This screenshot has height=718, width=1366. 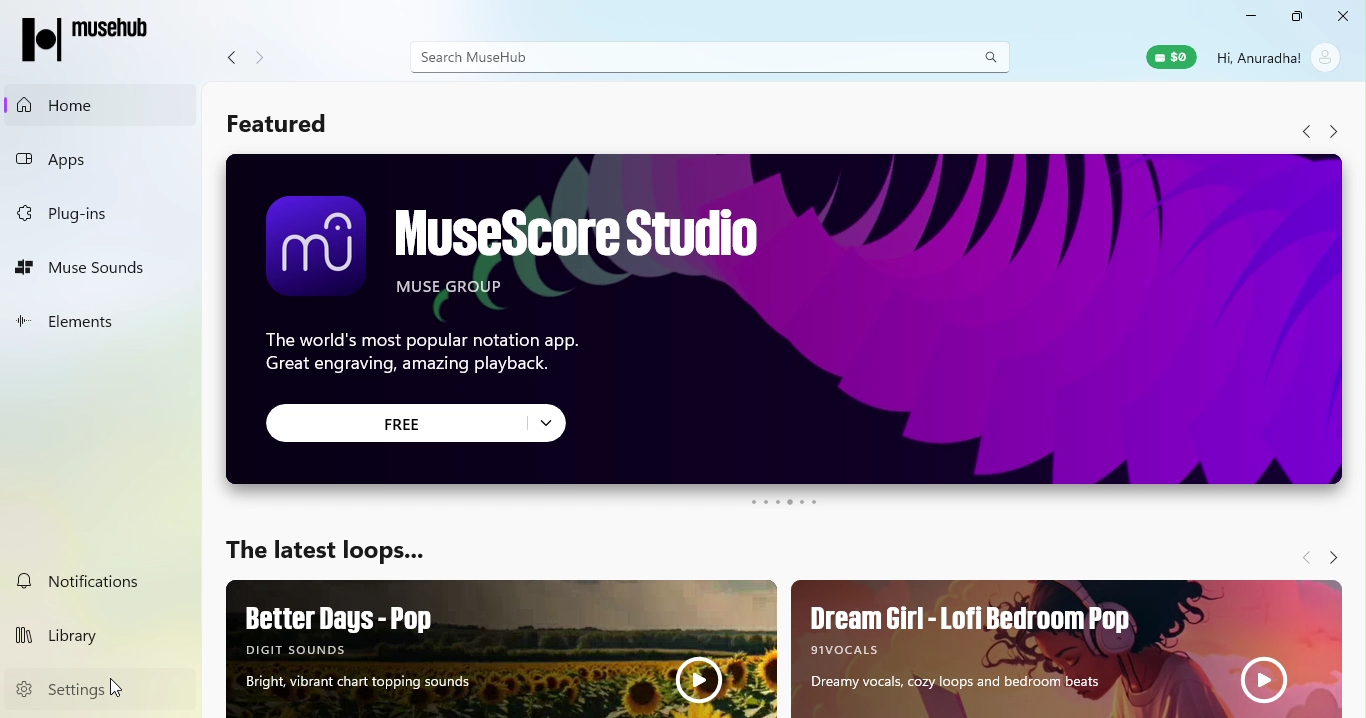 What do you see at coordinates (116, 688) in the screenshot?
I see `cursor` at bounding box center [116, 688].